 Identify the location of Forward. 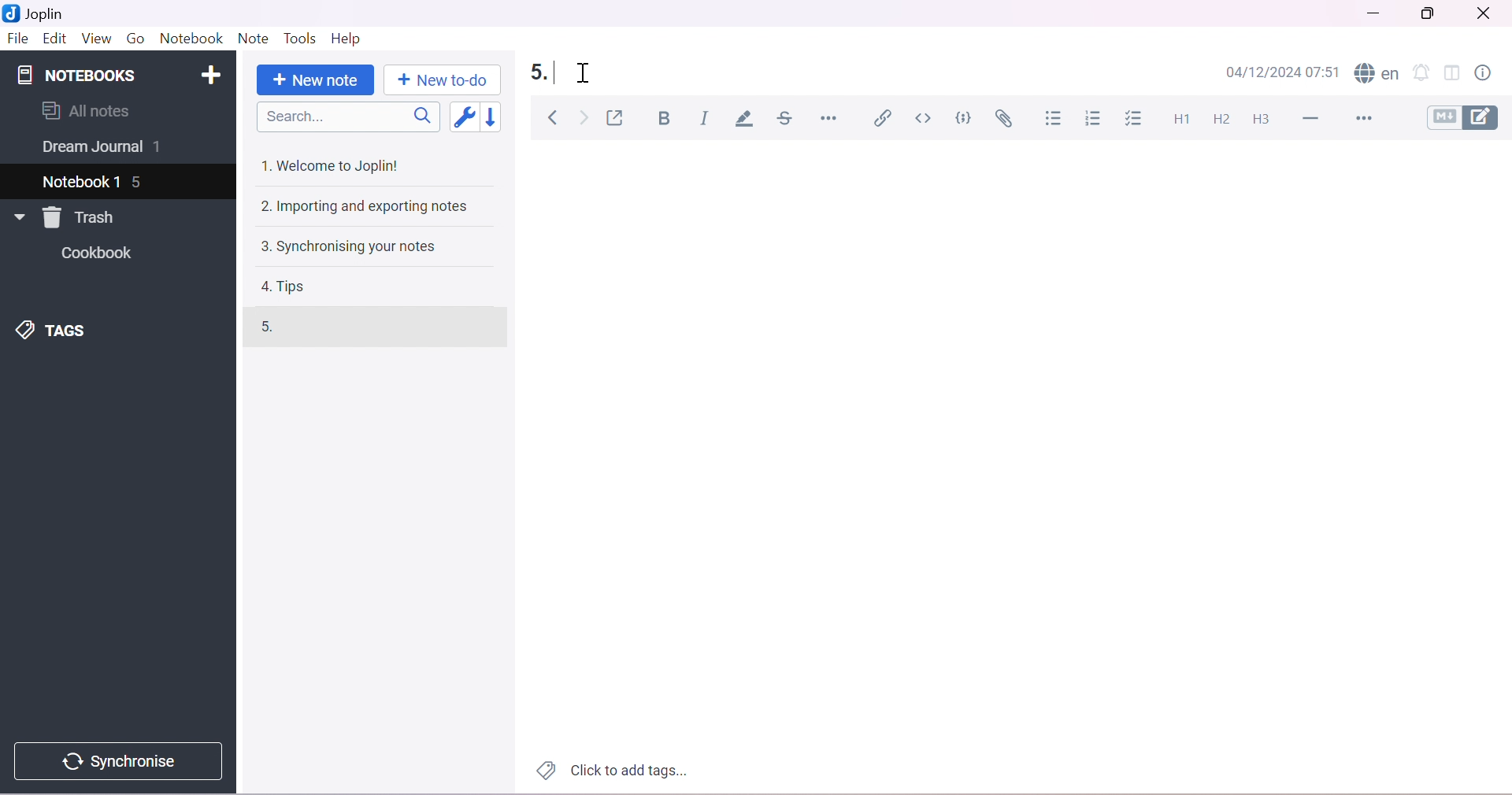
(584, 120).